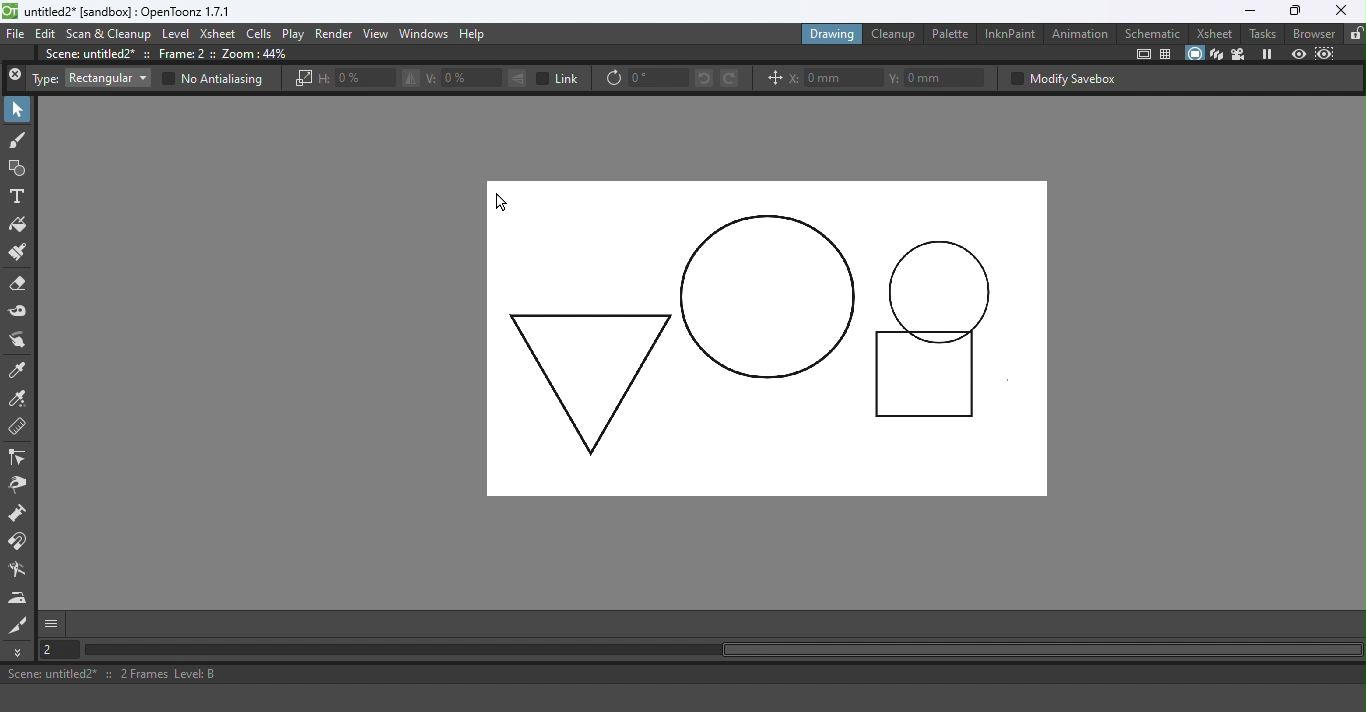 This screenshot has height=712, width=1366. I want to click on Iron tool, so click(20, 598).